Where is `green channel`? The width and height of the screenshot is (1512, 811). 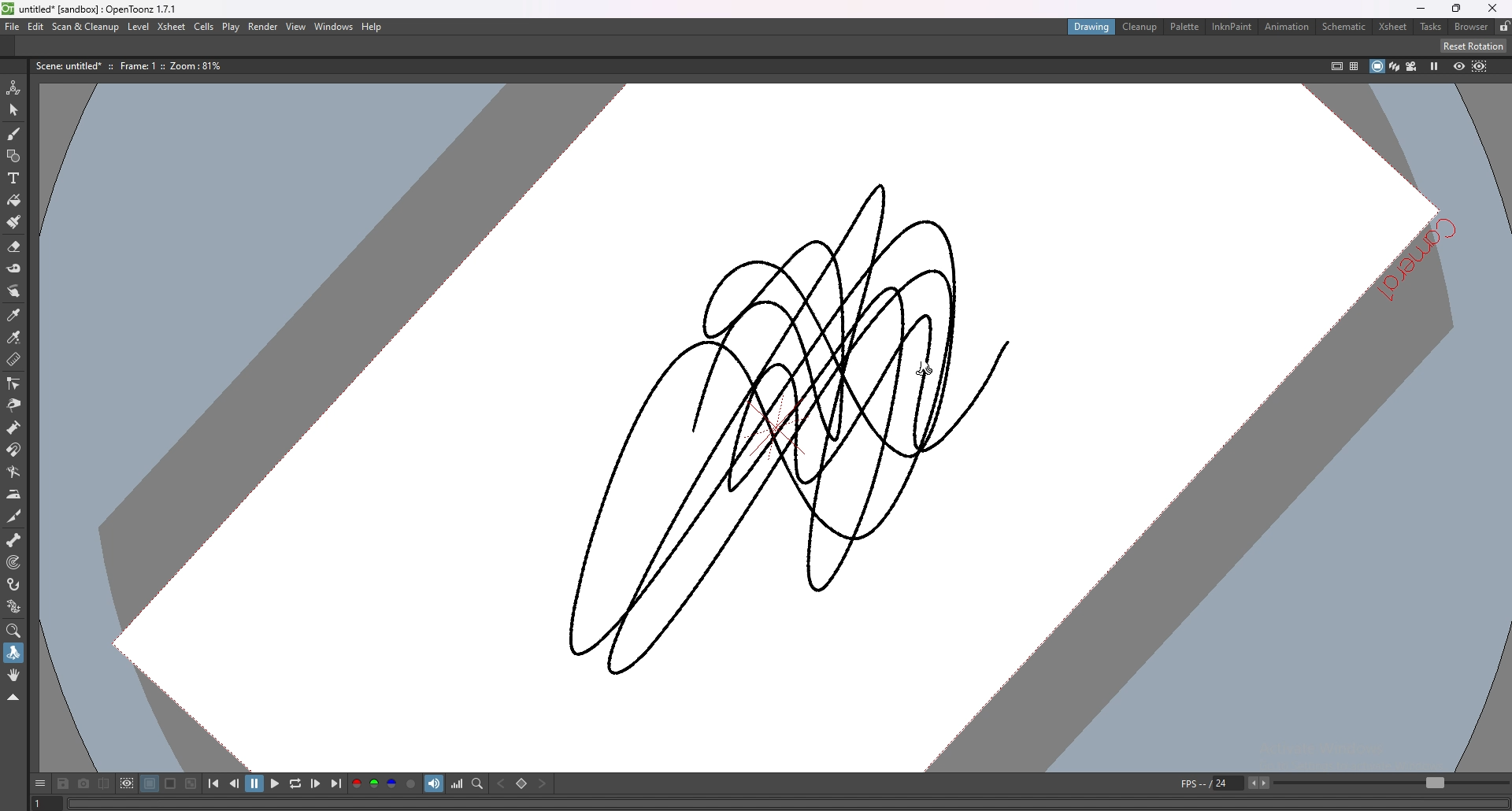
green channel is located at coordinates (375, 783).